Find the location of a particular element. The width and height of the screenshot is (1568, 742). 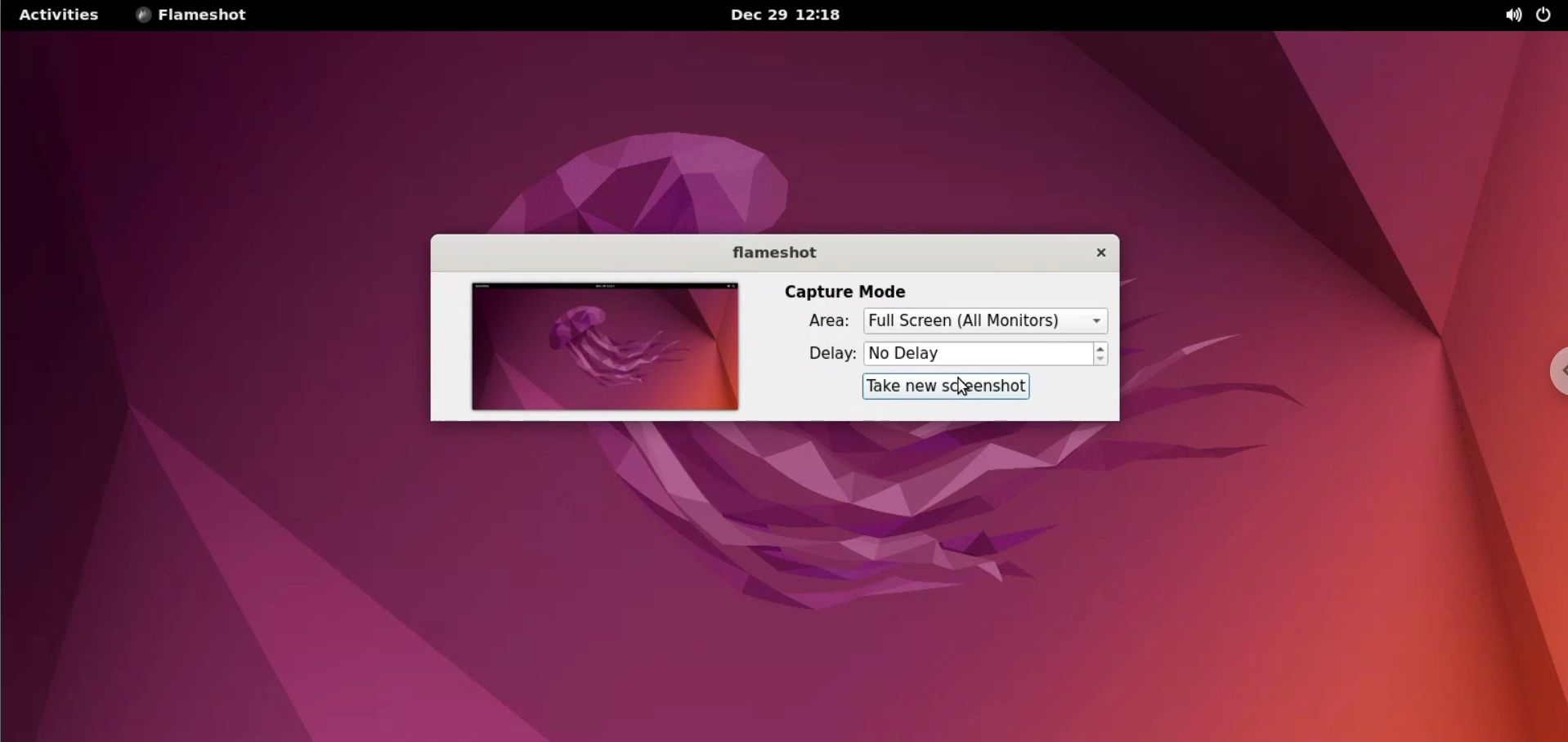

delay time is located at coordinates (979, 355).